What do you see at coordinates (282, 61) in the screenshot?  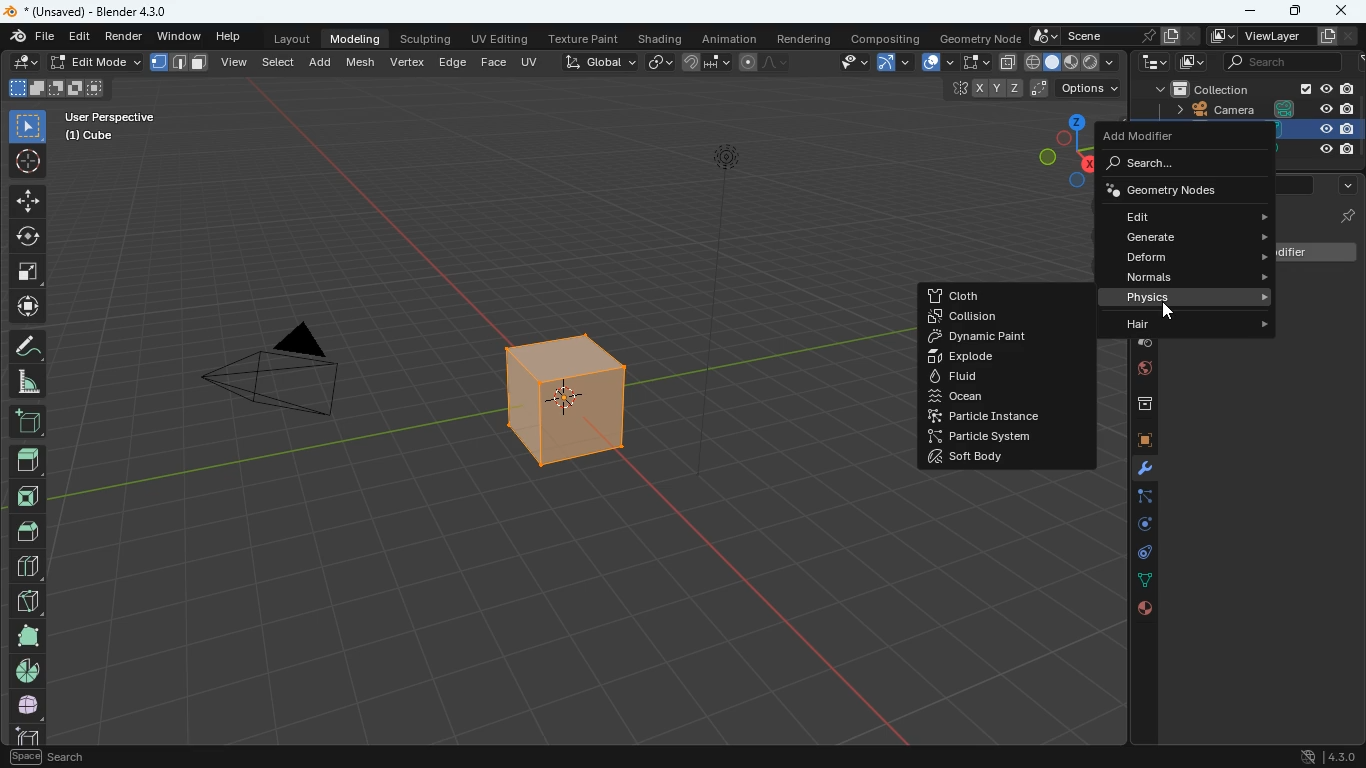 I see `select` at bounding box center [282, 61].